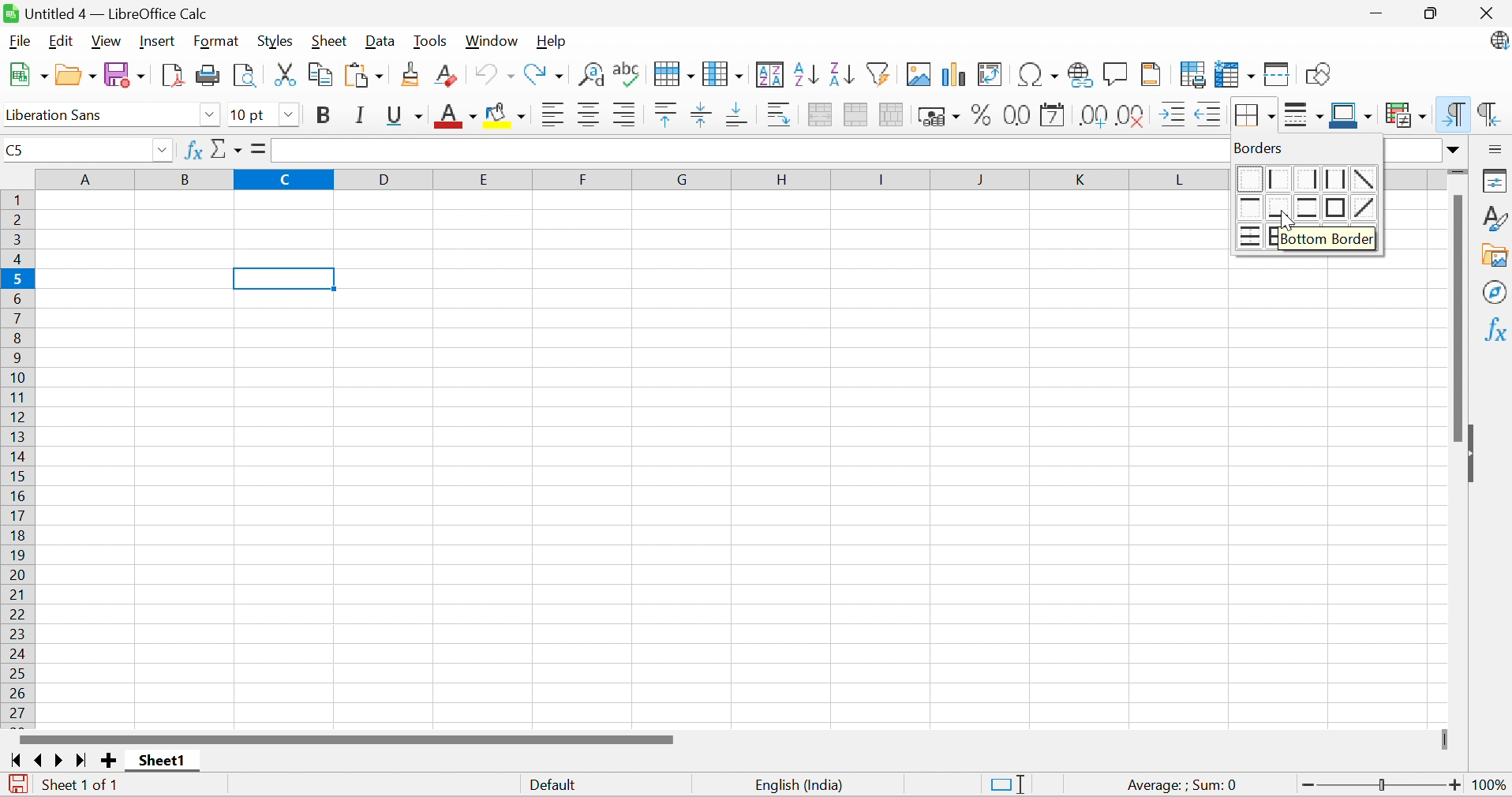 The image size is (1512, 797). Describe the element at coordinates (551, 40) in the screenshot. I see `Help` at that location.